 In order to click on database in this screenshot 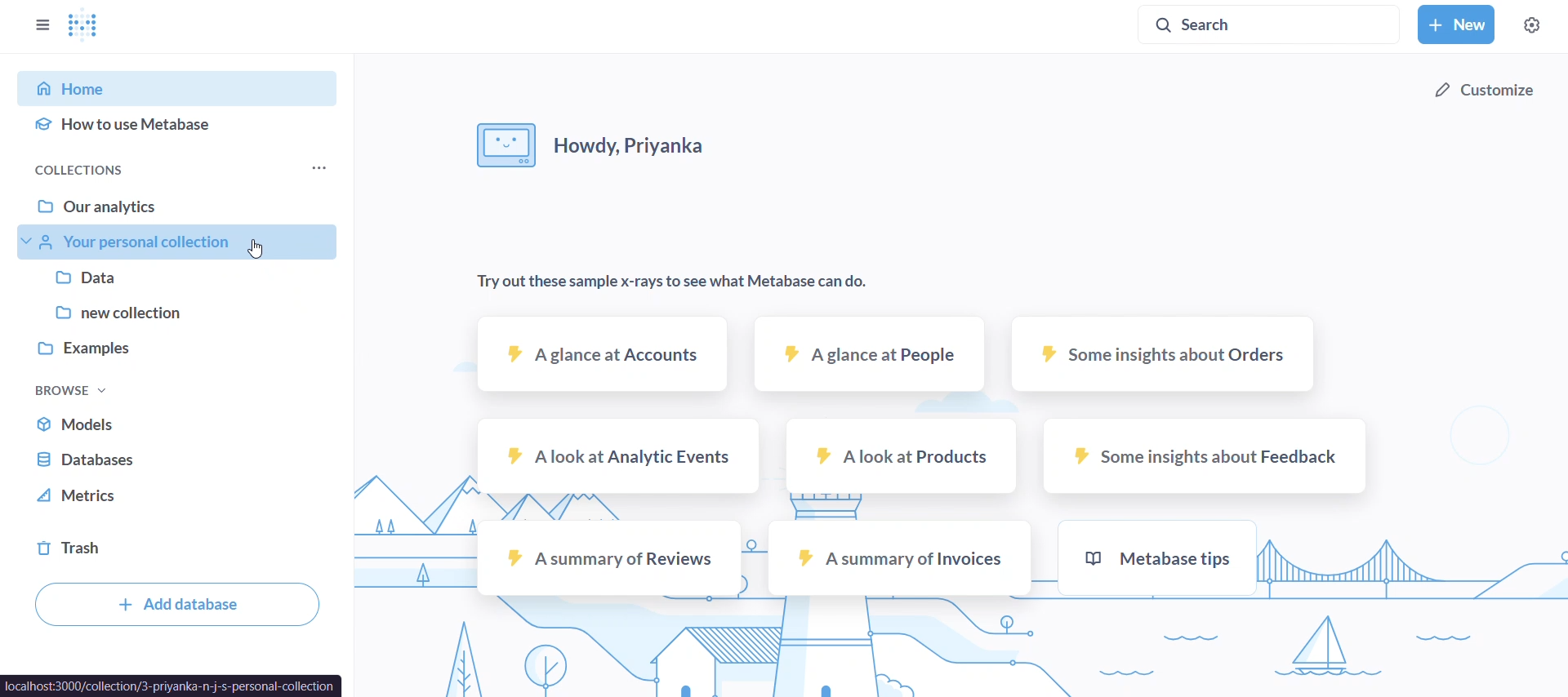, I will do `click(184, 460)`.